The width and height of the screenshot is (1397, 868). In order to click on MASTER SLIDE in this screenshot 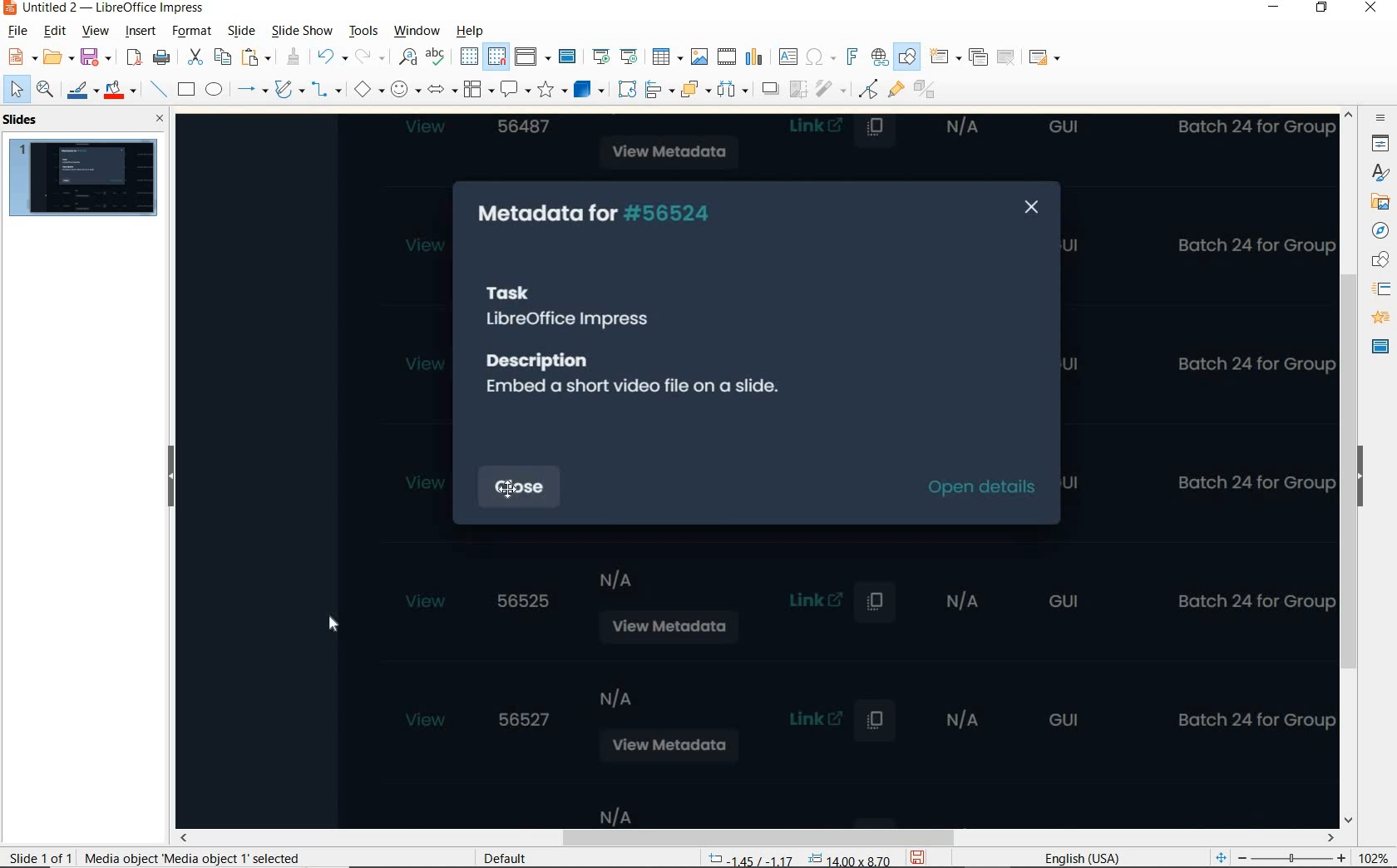, I will do `click(1378, 348)`.